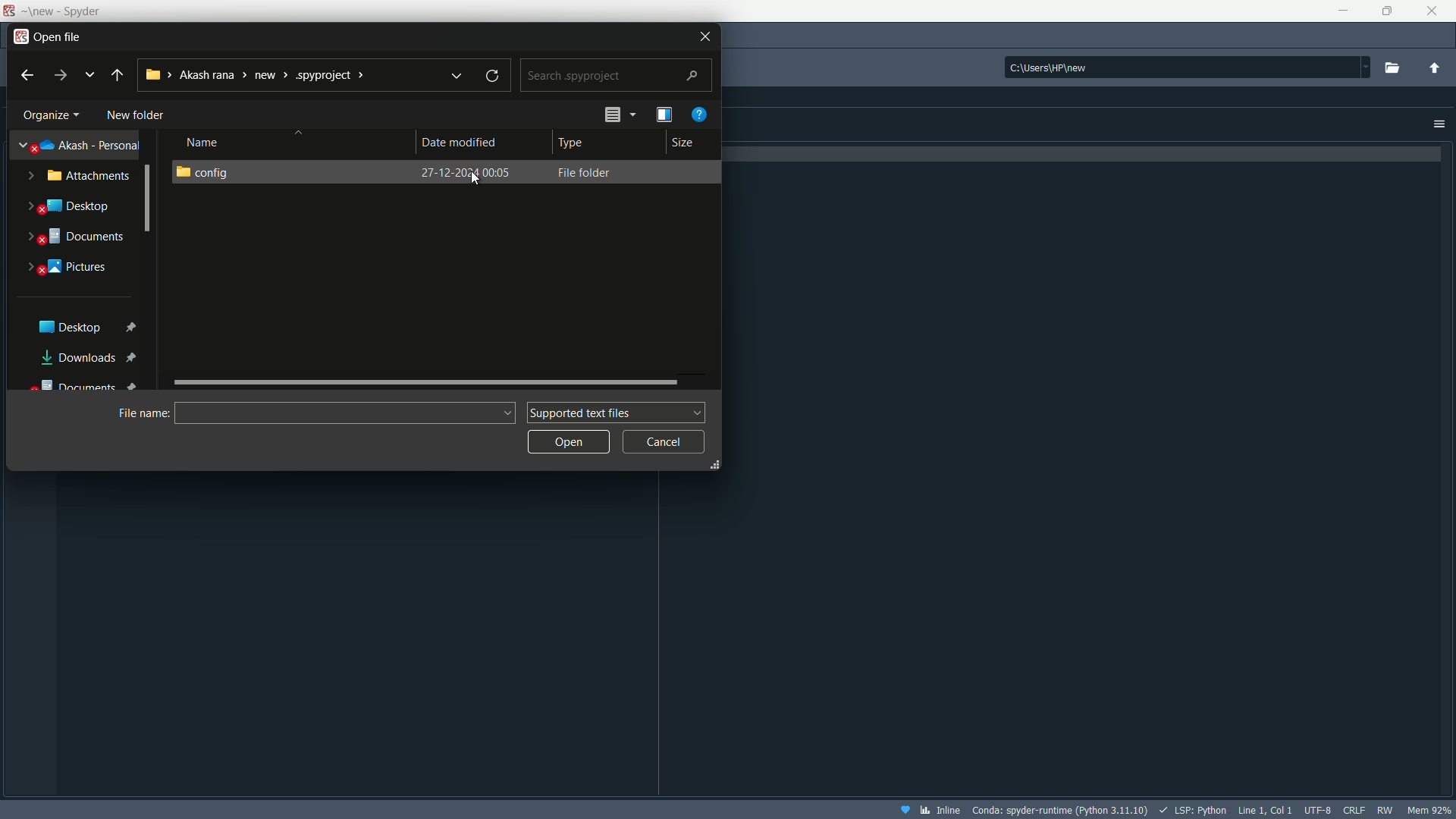 Image resolution: width=1456 pixels, height=819 pixels. Describe the element at coordinates (89, 357) in the screenshot. I see `Downloads` at that location.